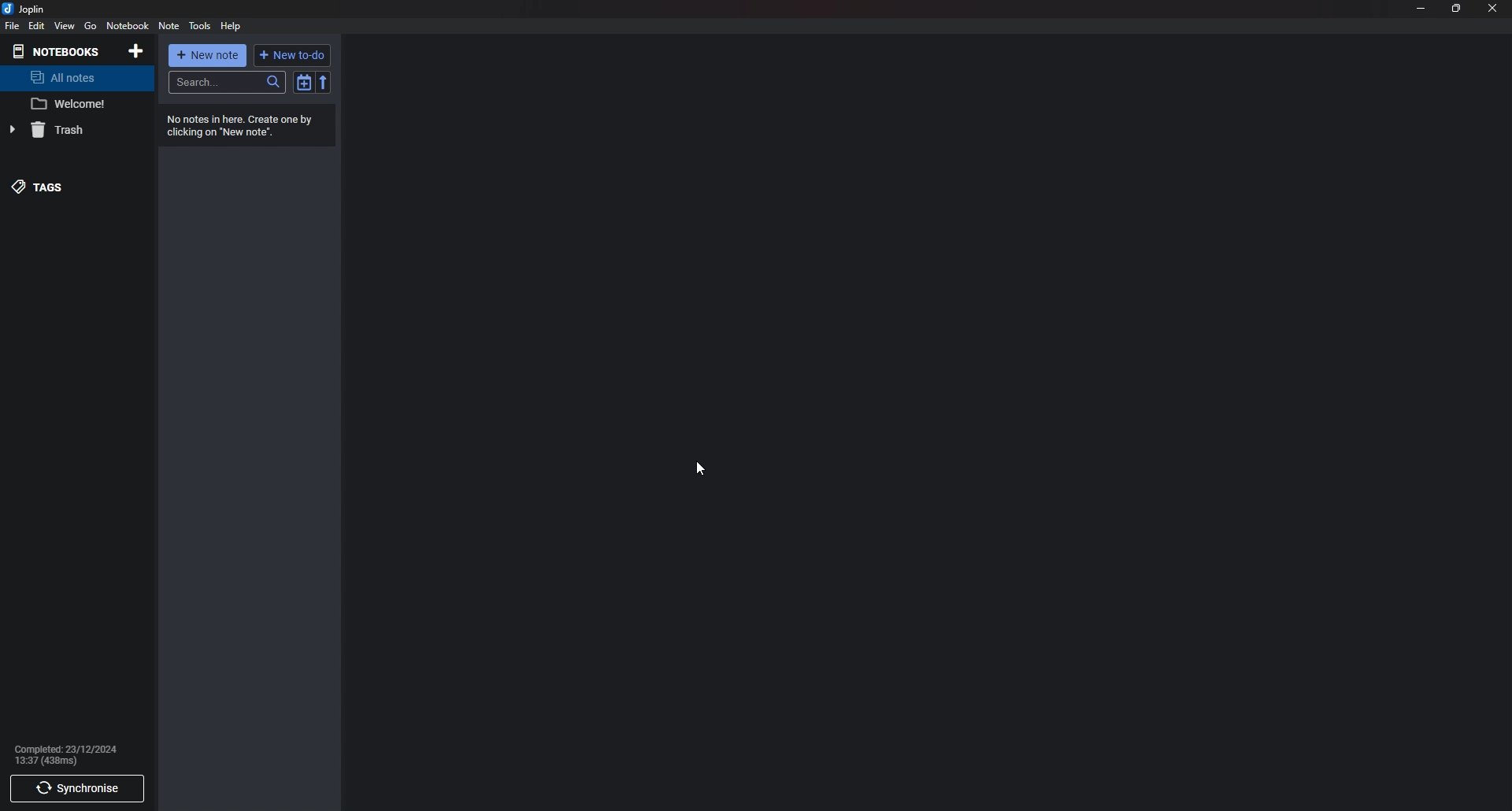  I want to click on Notebook, so click(127, 26).